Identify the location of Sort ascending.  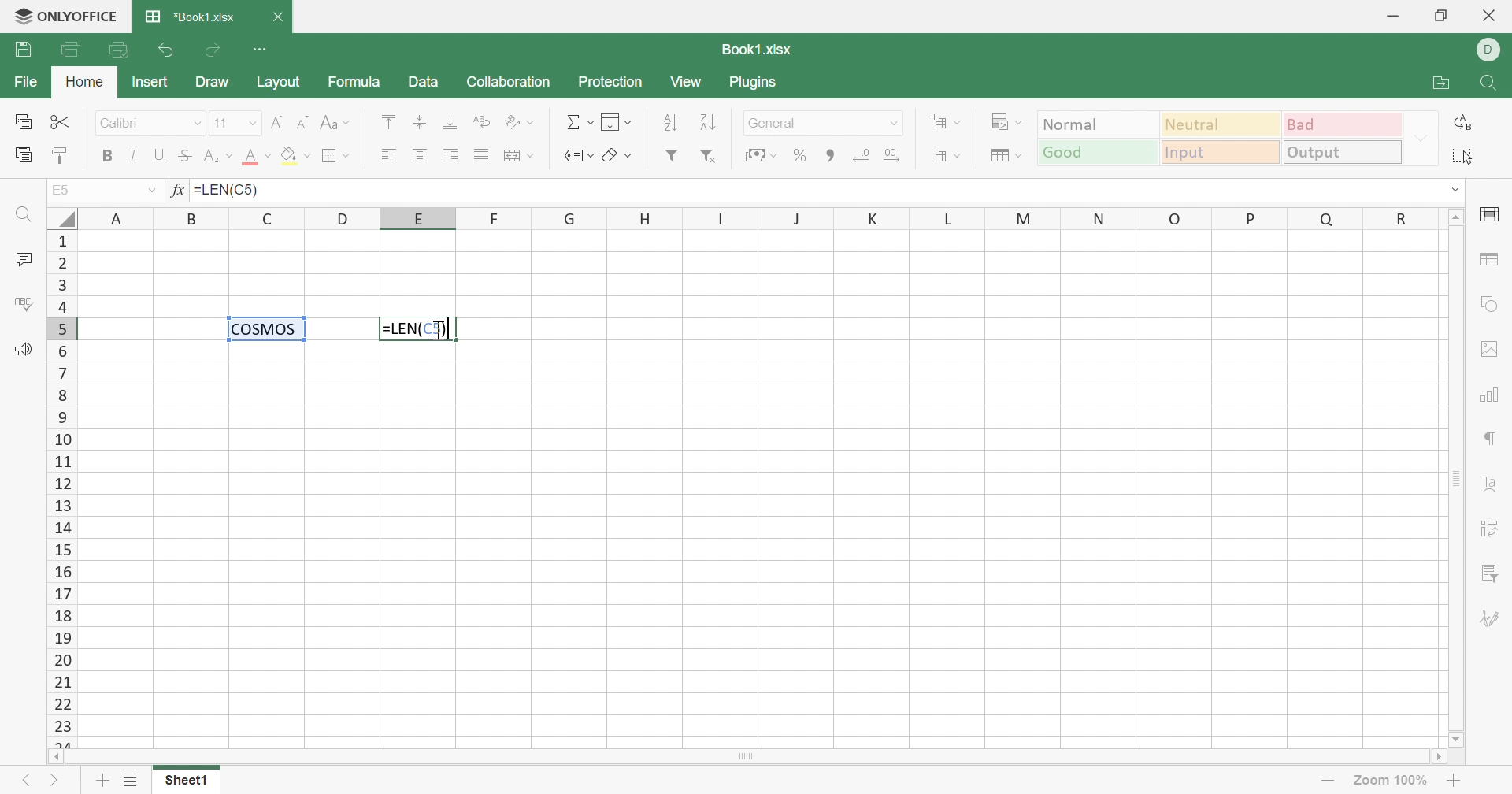
(671, 124).